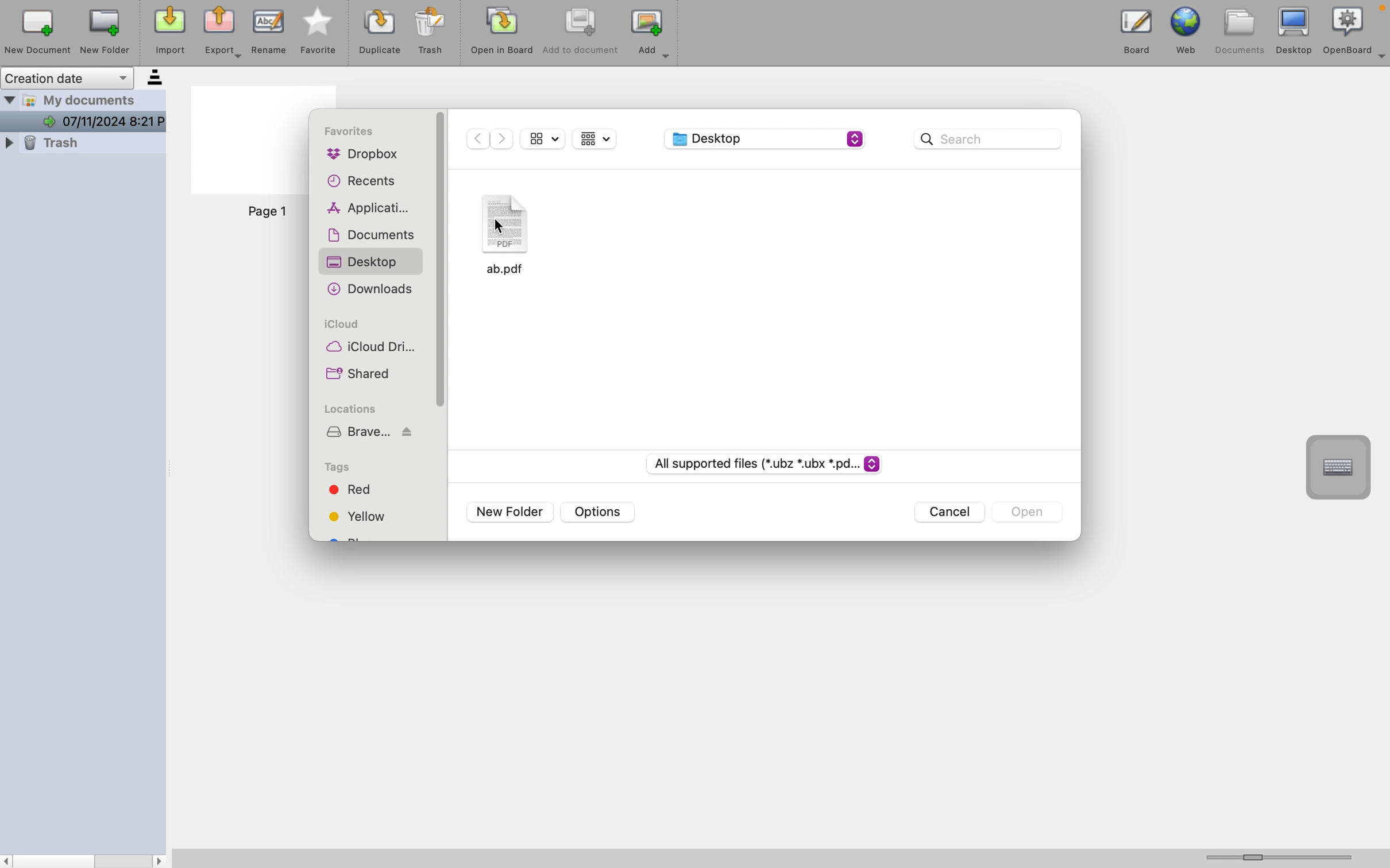 The image size is (1390, 868). I want to click on shared, so click(364, 375).